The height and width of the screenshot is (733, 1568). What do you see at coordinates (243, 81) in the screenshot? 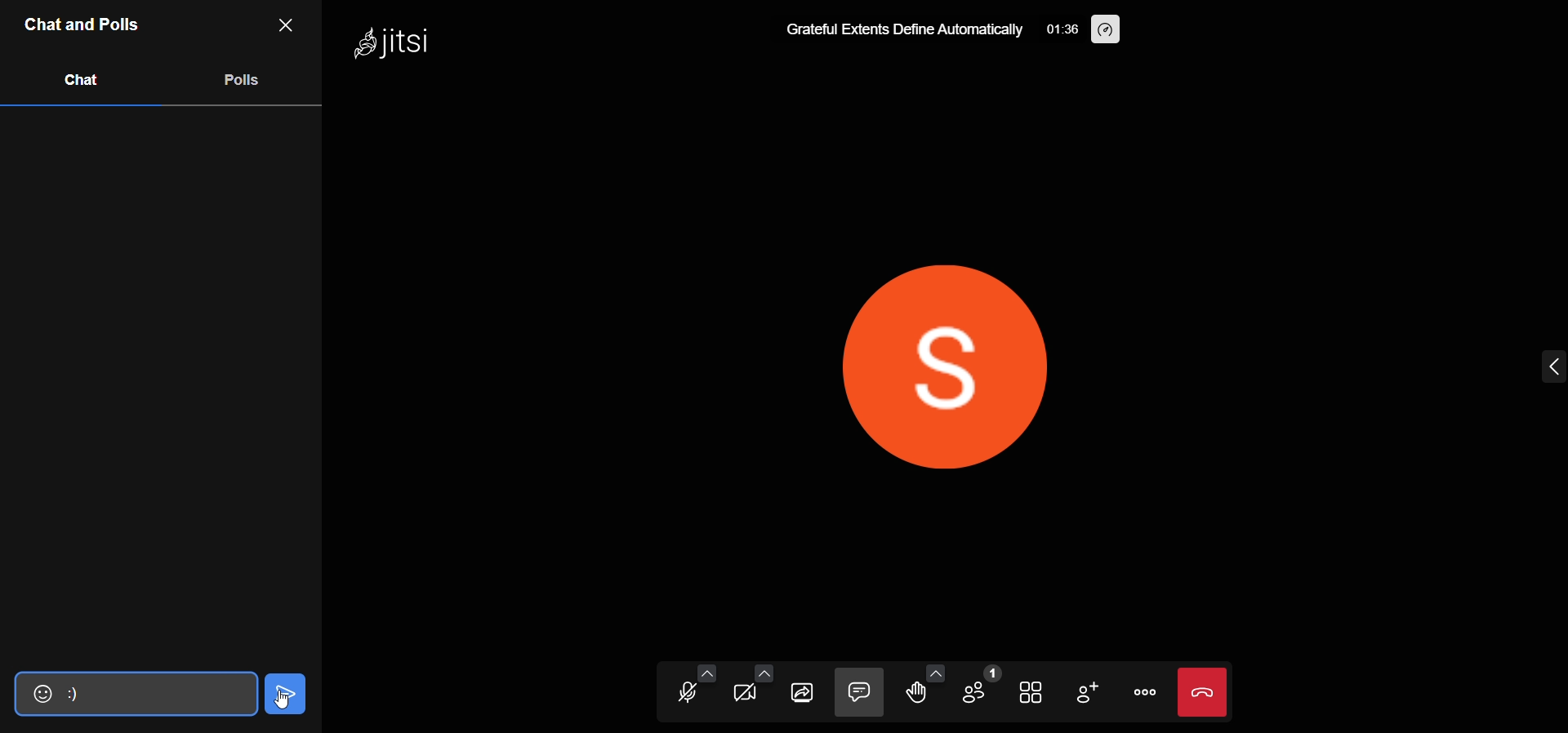
I see `polls` at bounding box center [243, 81].